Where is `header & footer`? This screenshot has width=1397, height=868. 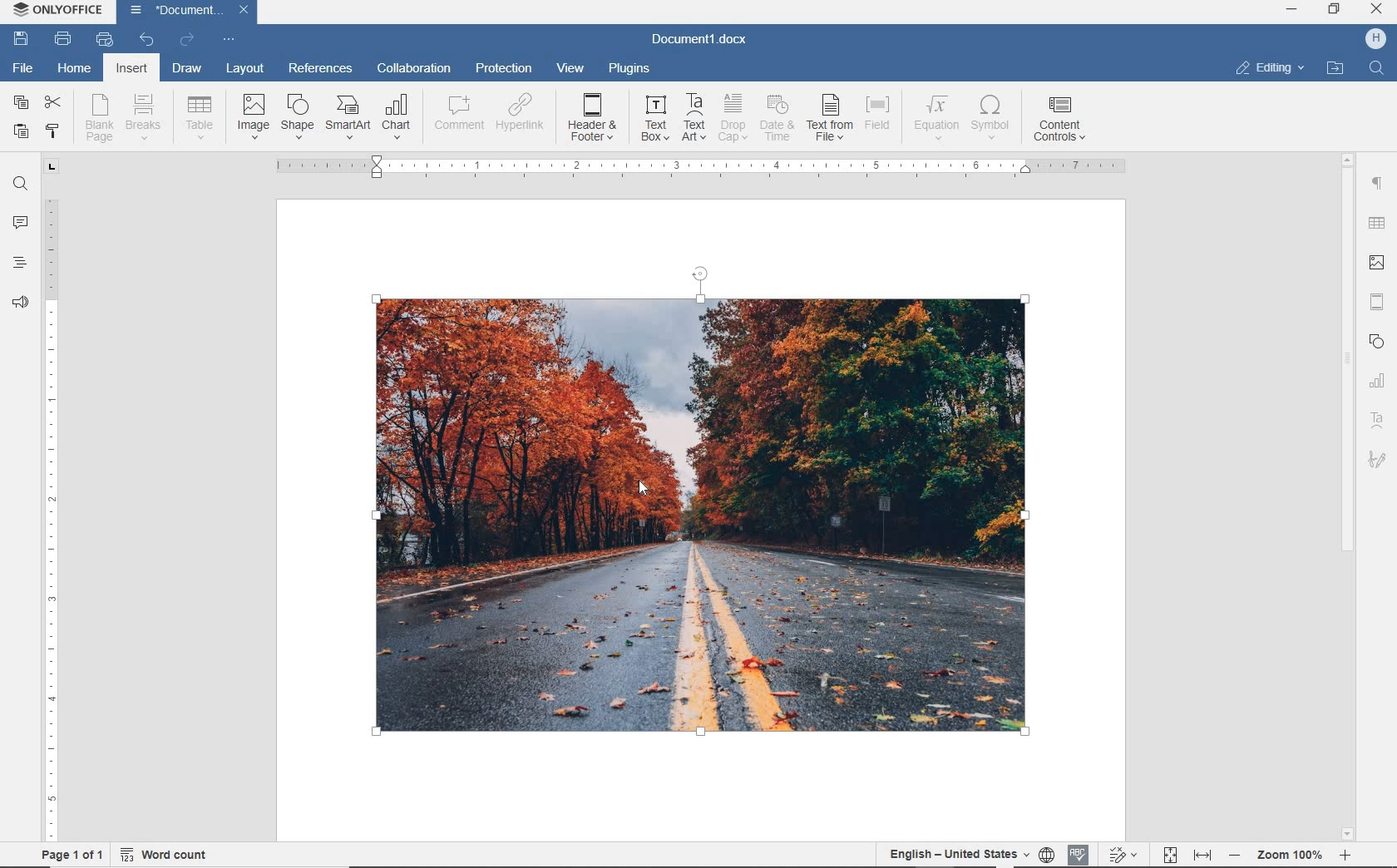
header & footer is located at coordinates (1378, 300).